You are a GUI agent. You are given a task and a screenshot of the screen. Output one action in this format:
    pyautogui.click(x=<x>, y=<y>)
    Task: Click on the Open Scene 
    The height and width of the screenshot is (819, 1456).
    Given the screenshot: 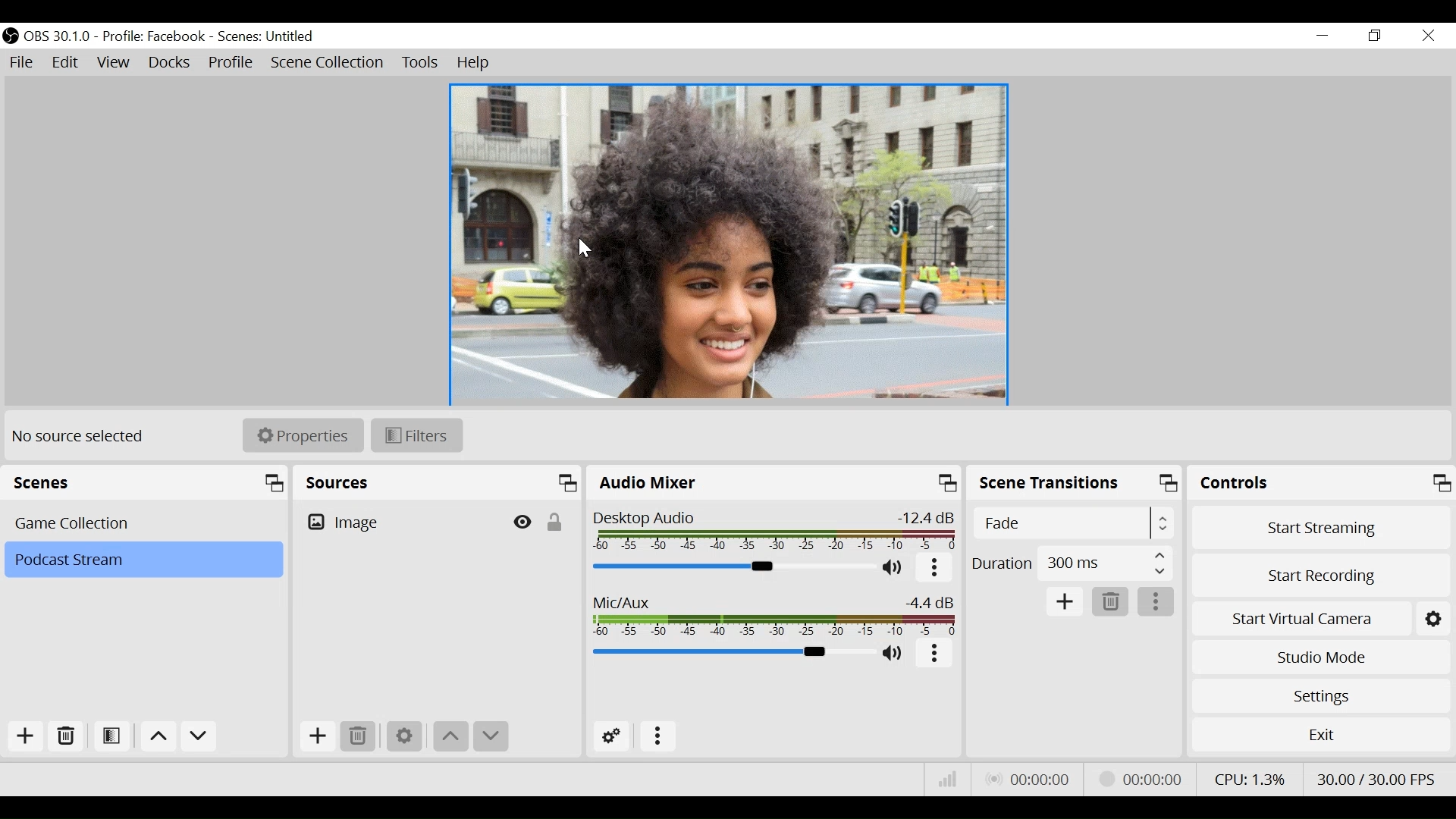 What is the action you would take?
    pyautogui.click(x=110, y=737)
    